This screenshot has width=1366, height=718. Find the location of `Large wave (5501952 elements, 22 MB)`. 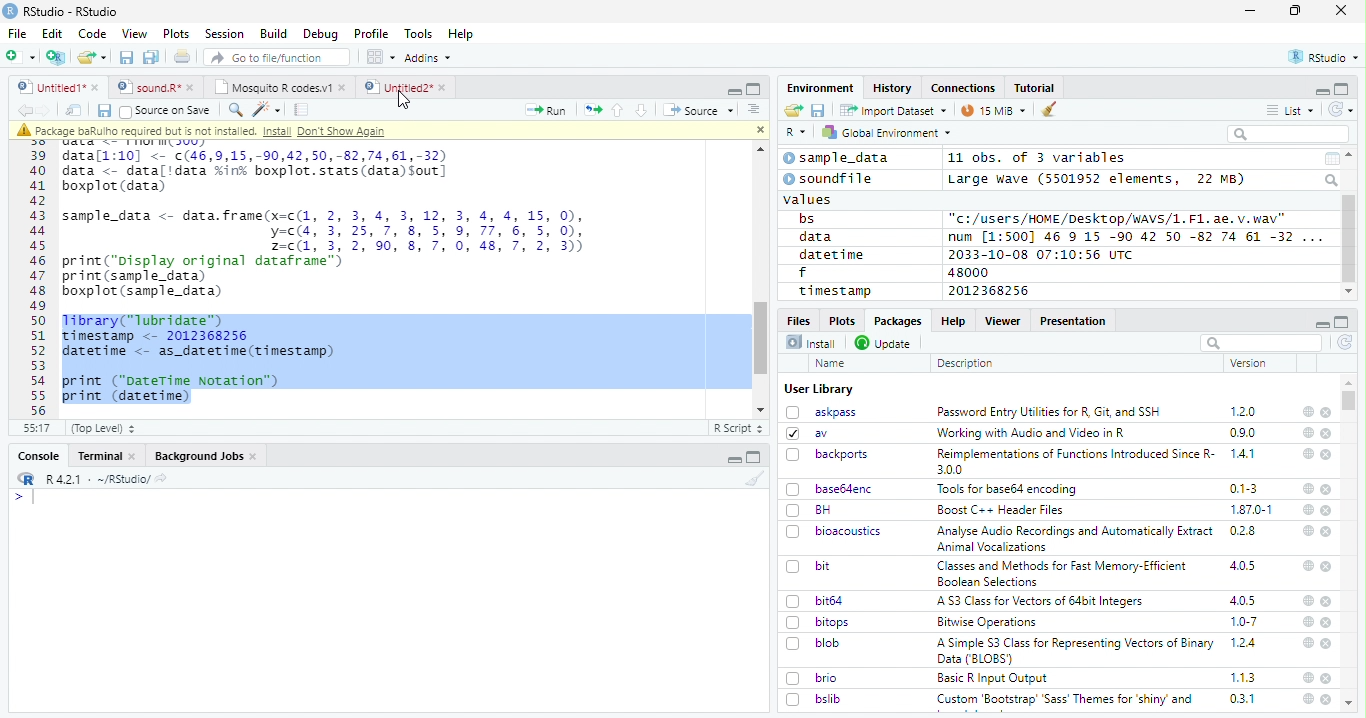

Large wave (5501952 elements, 22 MB) is located at coordinates (1099, 179).